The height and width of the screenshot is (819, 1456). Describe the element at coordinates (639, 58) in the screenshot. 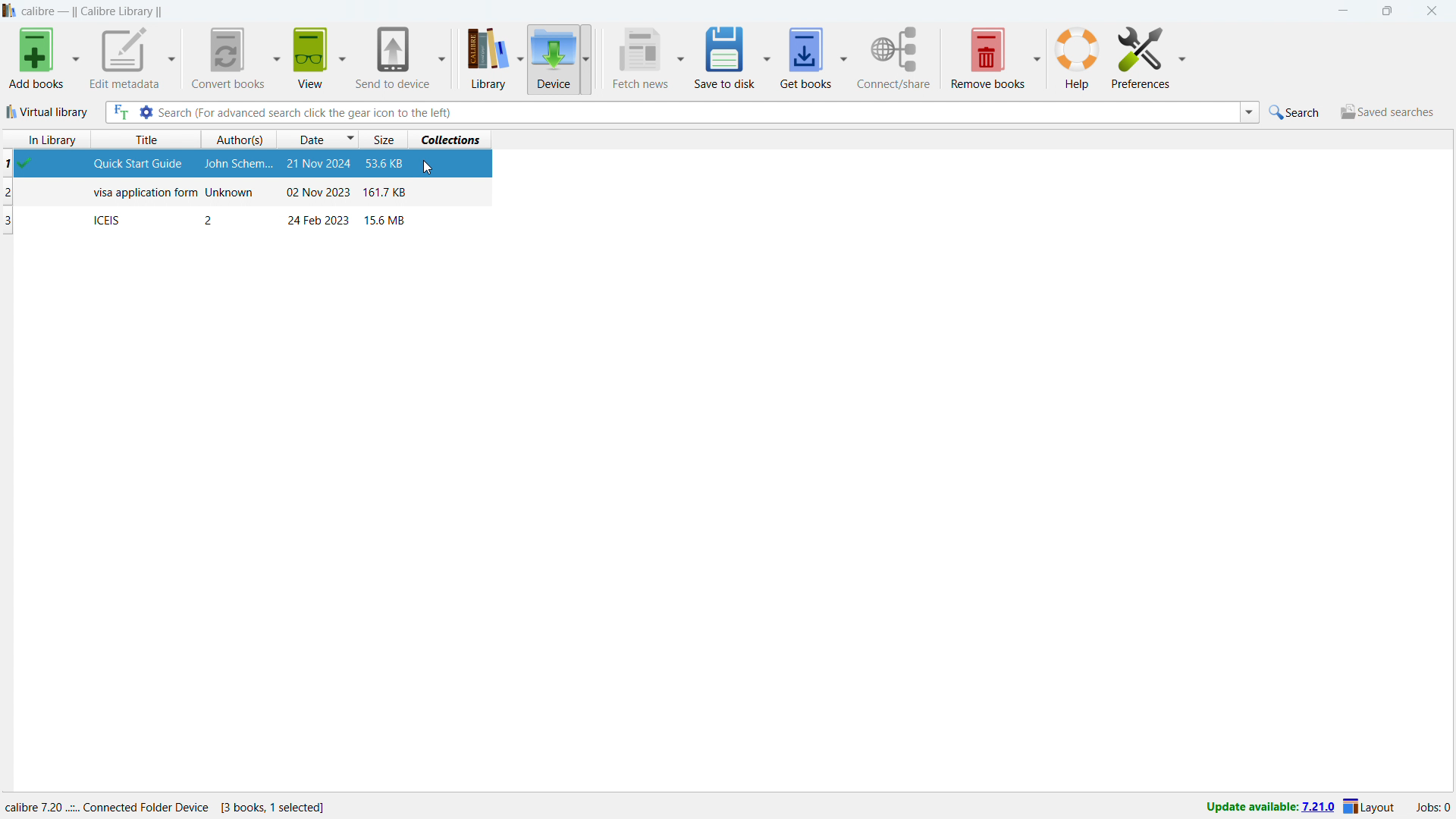

I see `fetch news` at that location.